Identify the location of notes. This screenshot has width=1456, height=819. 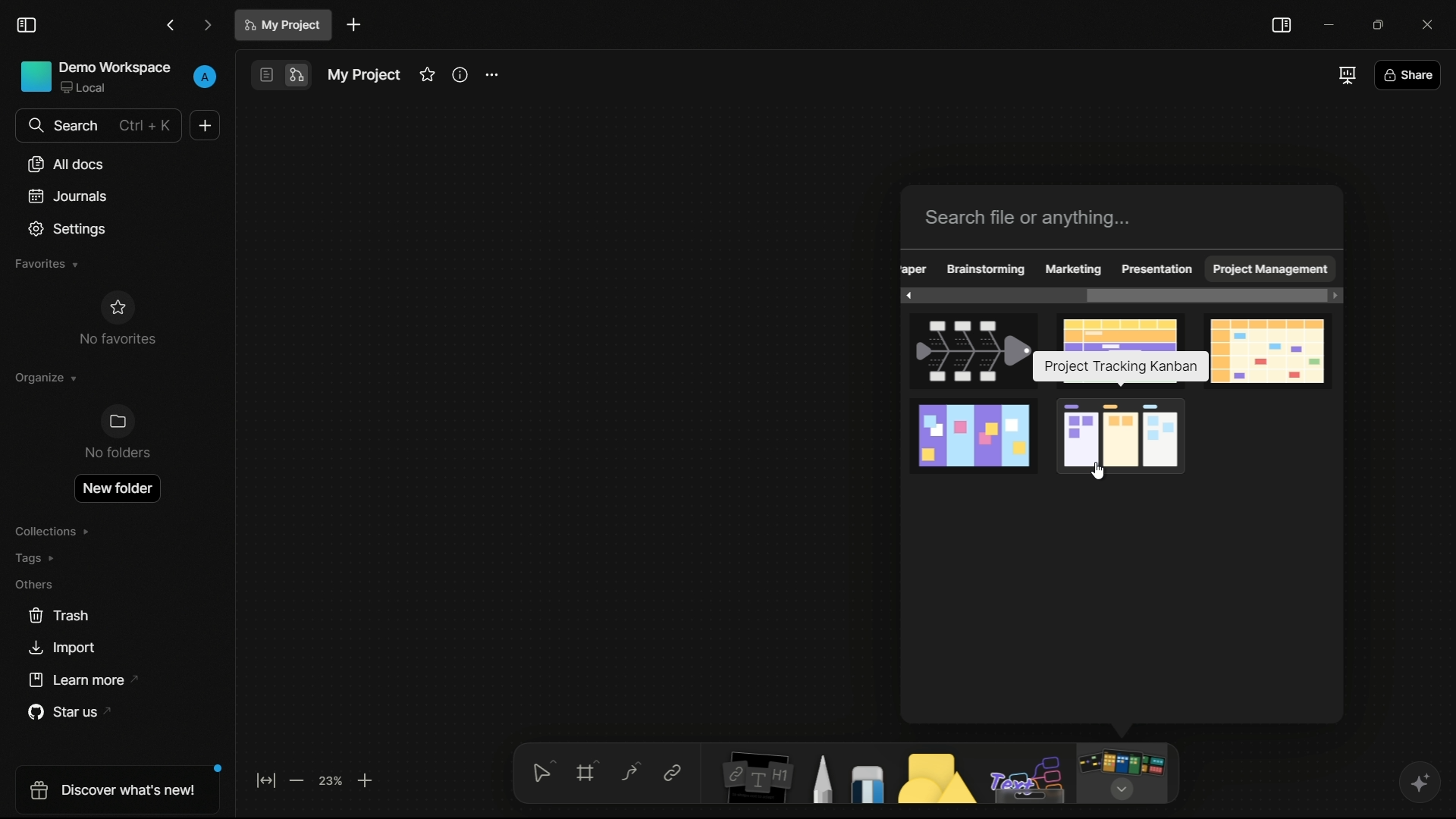
(757, 777).